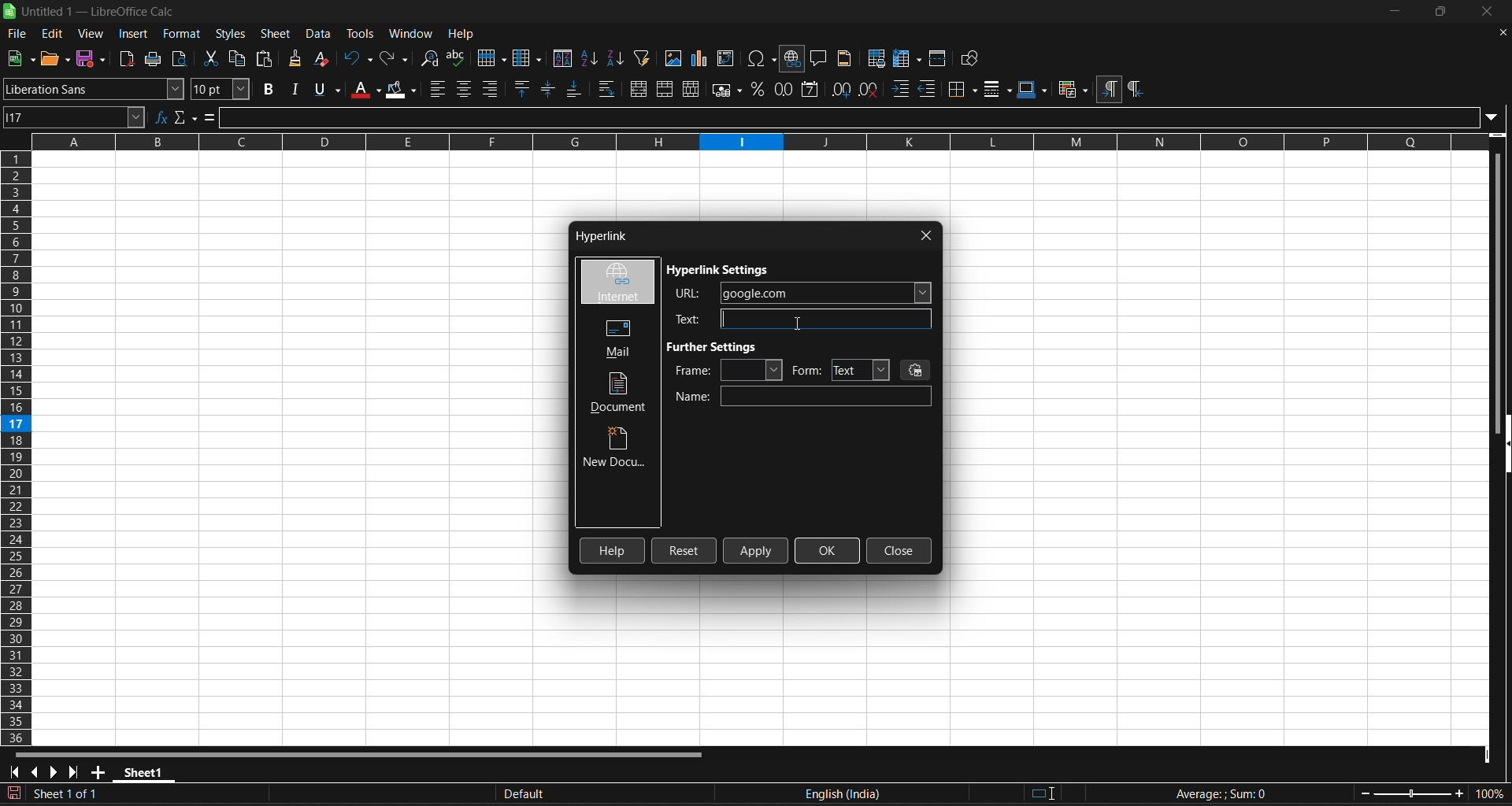  Describe the element at coordinates (939, 57) in the screenshot. I see `split window` at that location.